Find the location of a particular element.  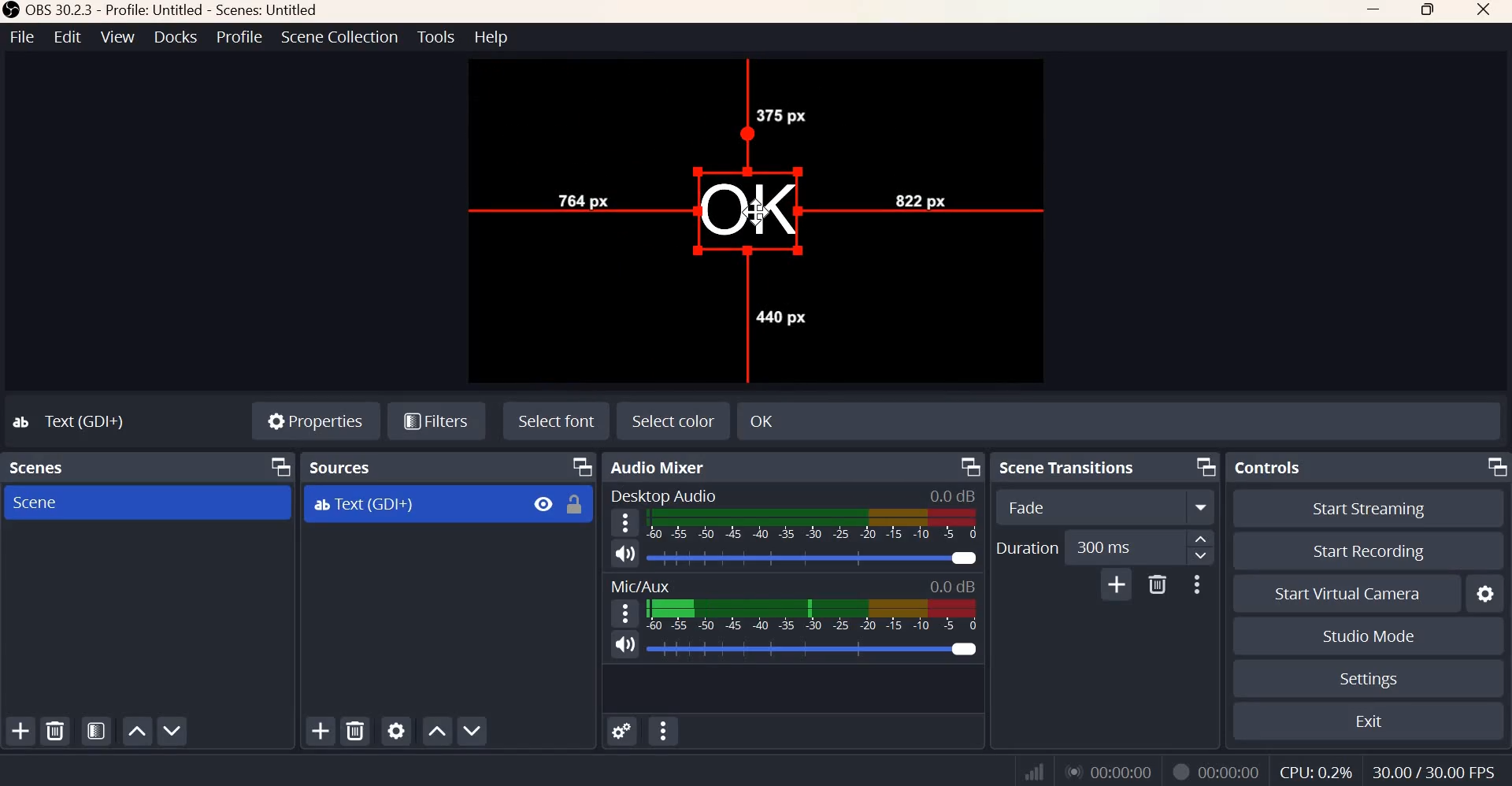

Delete Transition is located at coordinates (1157, 584).